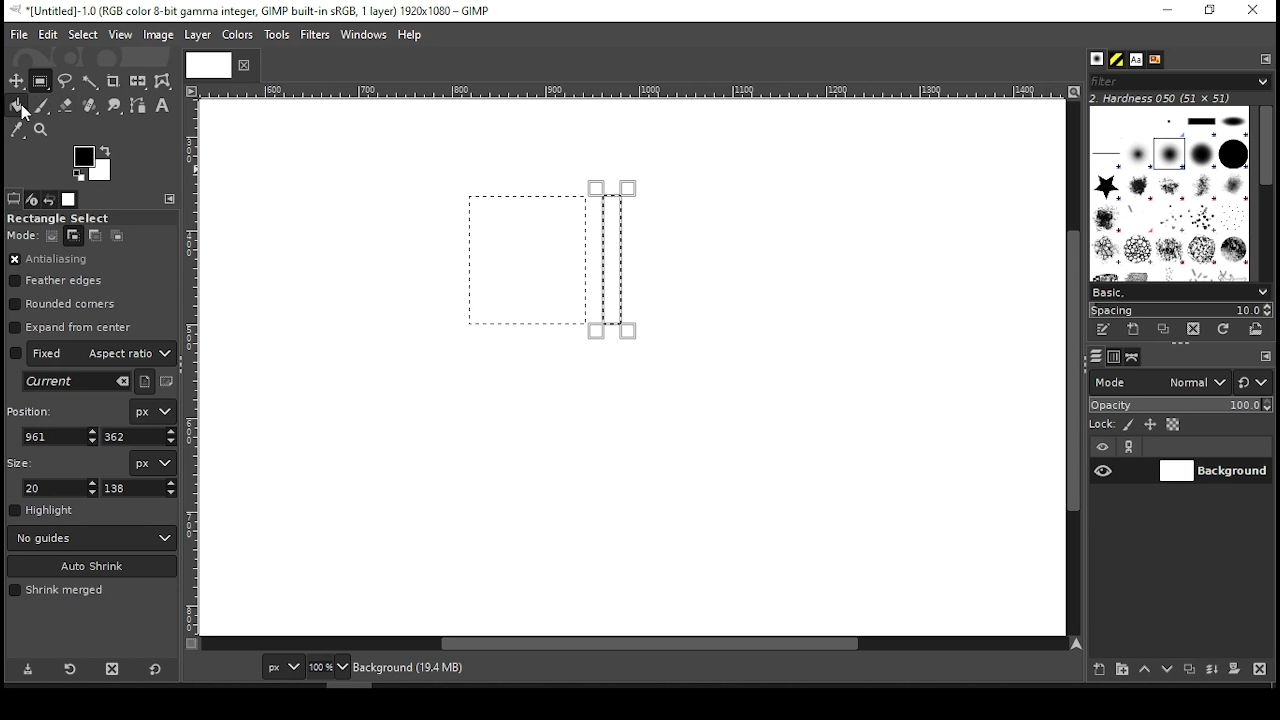 The image size is (1280, 720). Describe the element at coordinates (1103, 426) in the screenshot. I see `lock:` at that location.